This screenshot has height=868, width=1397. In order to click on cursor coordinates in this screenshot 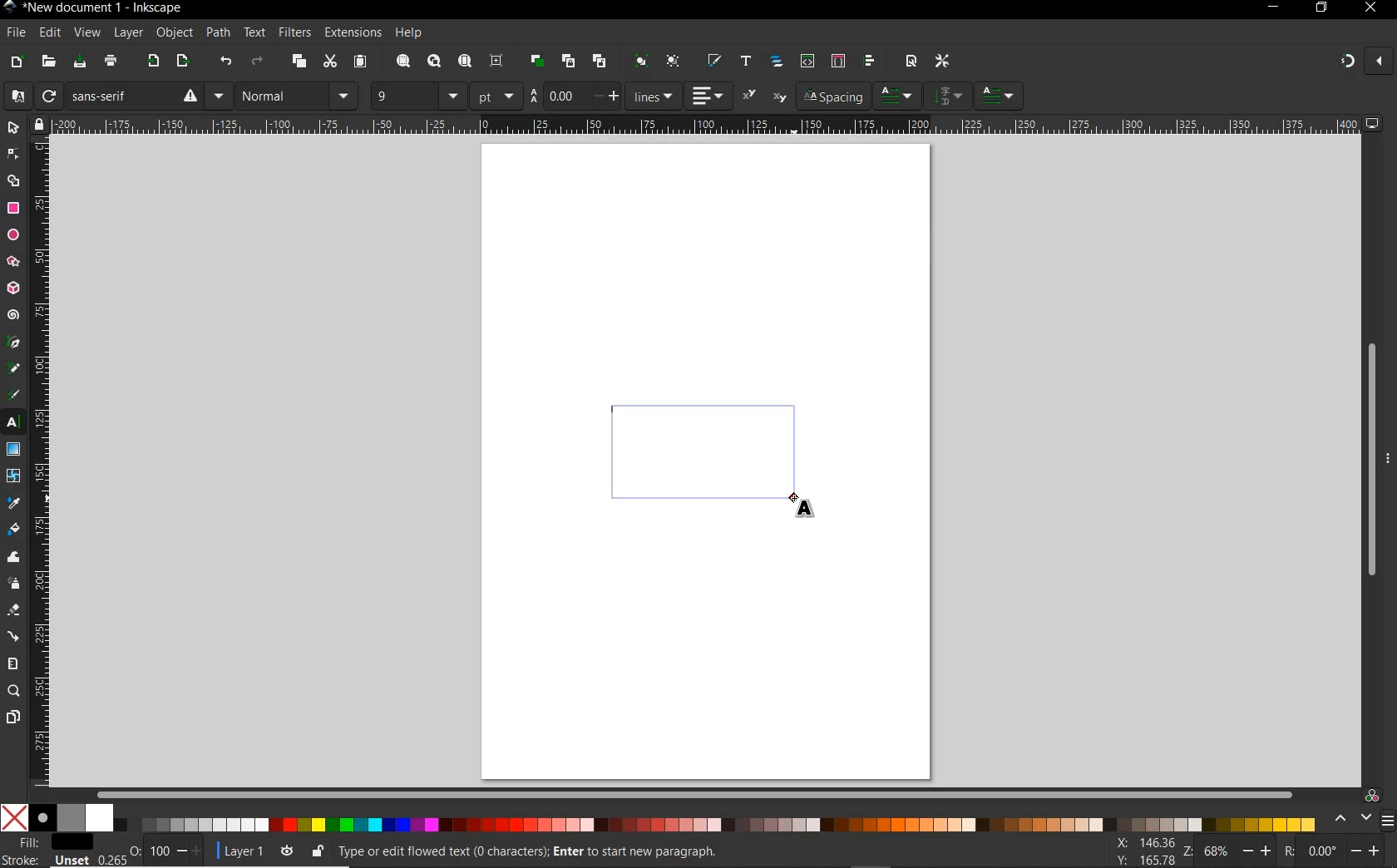, I will do `click(1143, 851)`.